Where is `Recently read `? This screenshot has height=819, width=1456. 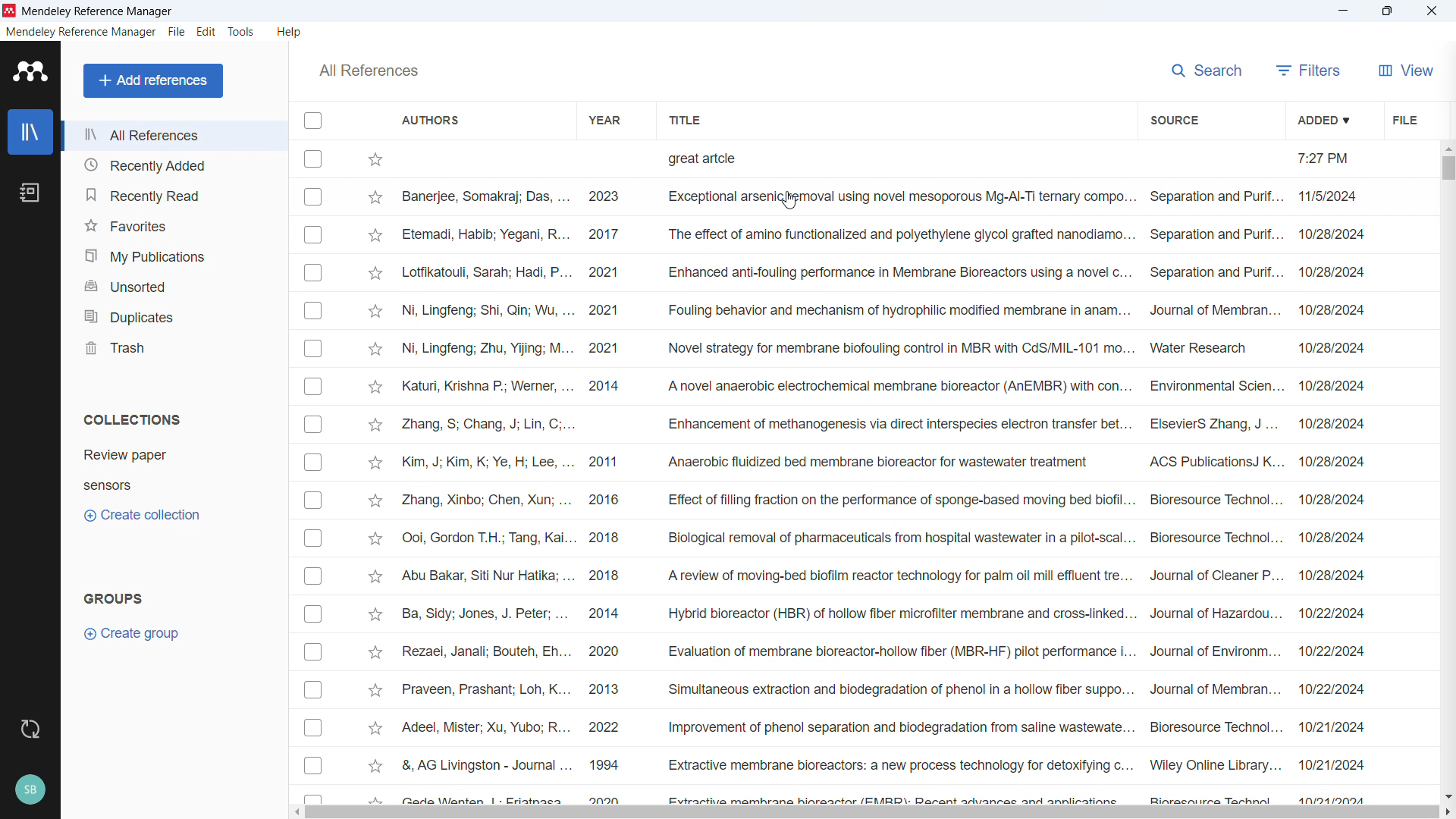 Recently read  is located at coordinates (174, 195).